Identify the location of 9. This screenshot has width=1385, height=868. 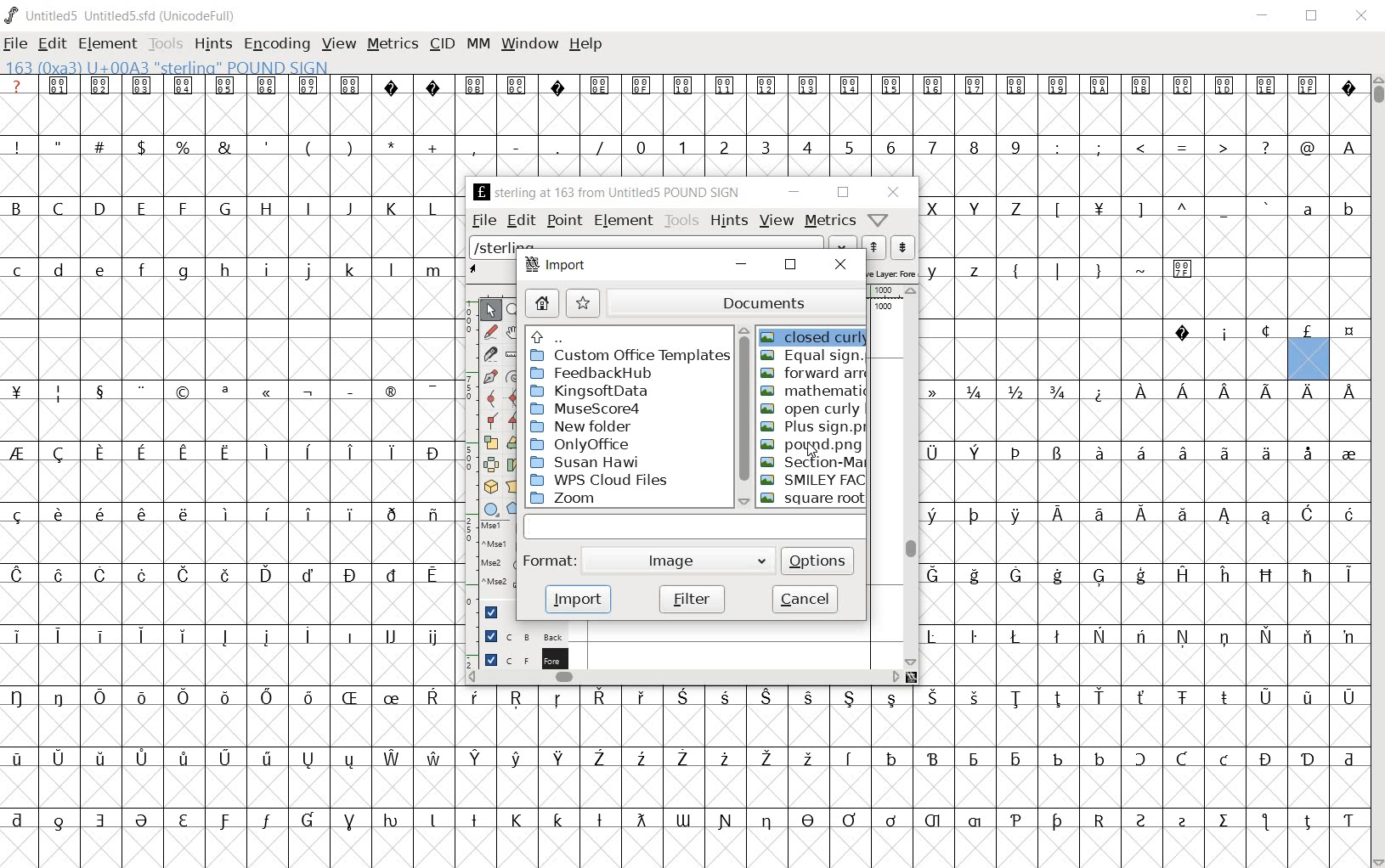
(1015, 146).